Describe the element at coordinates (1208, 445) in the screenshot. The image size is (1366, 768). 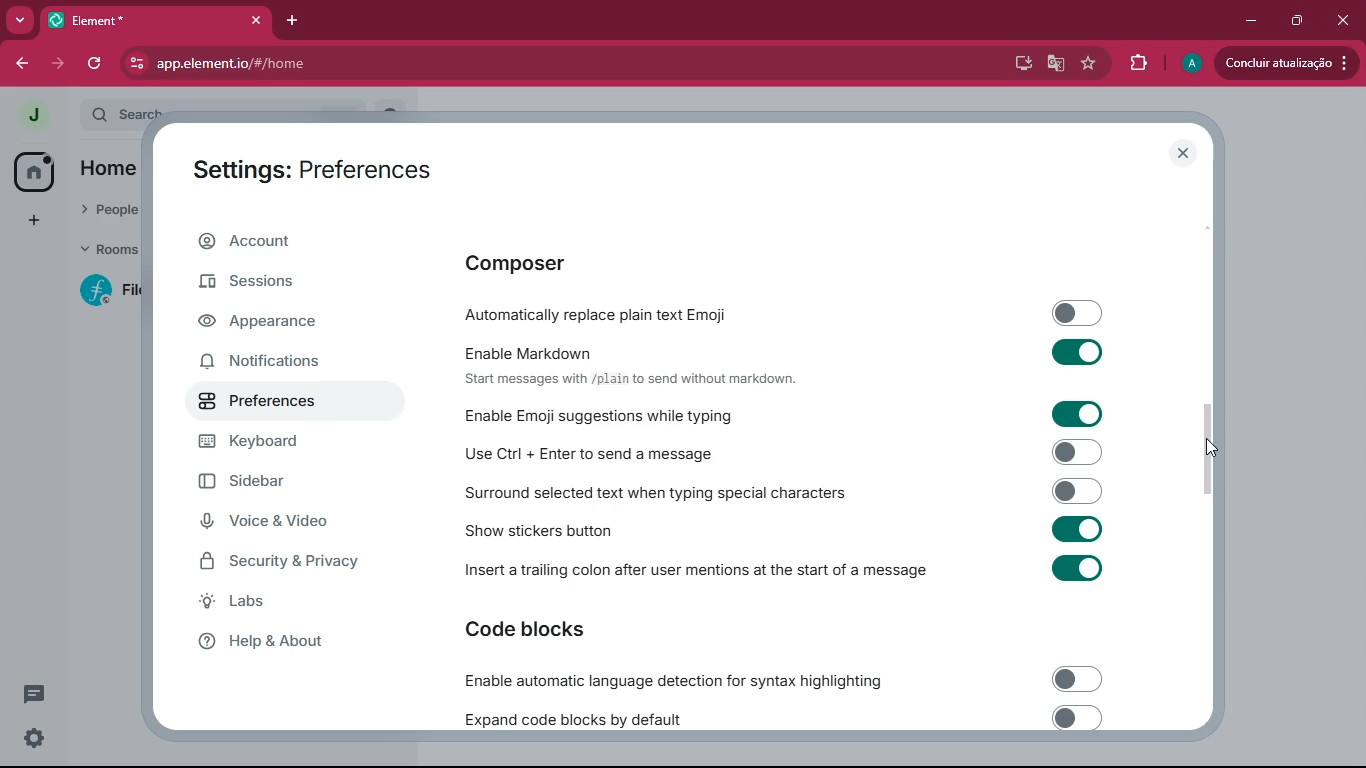
I see `scroll bar` at that location.